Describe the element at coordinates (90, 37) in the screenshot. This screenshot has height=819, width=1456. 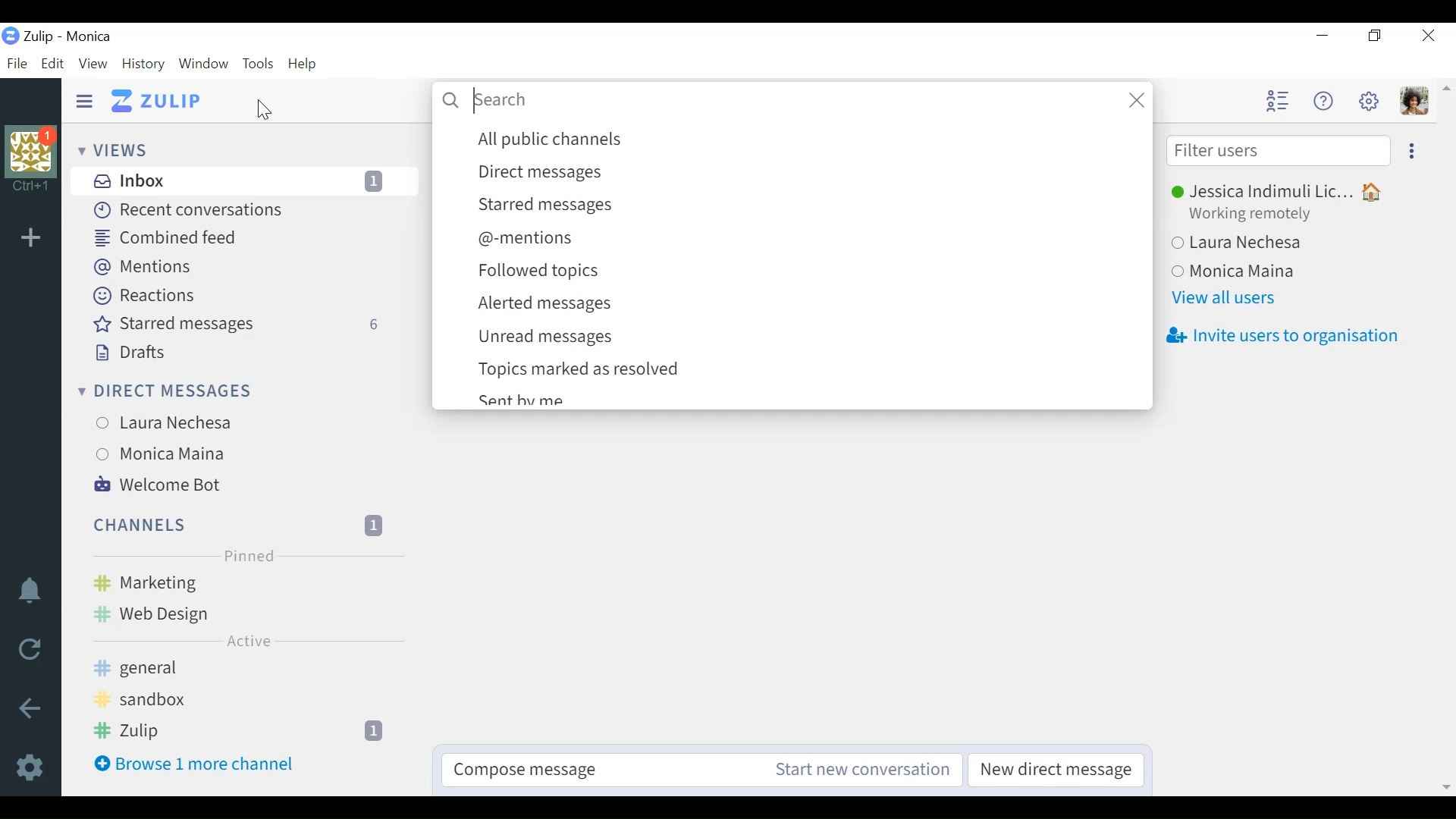
I see `Tulip` at that location.